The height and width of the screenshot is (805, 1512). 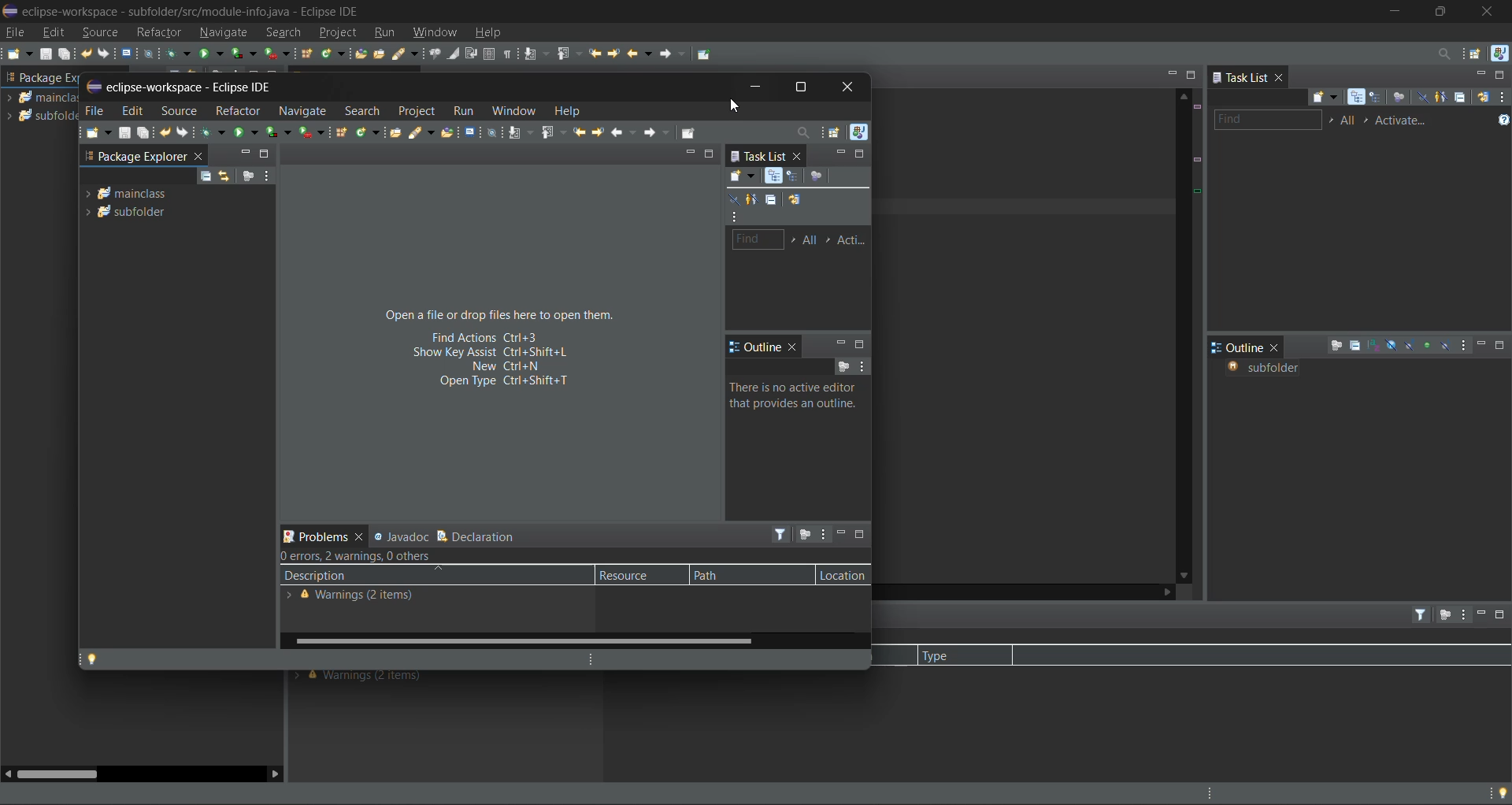 I want to click on maximize, so click(x=799, y=88).